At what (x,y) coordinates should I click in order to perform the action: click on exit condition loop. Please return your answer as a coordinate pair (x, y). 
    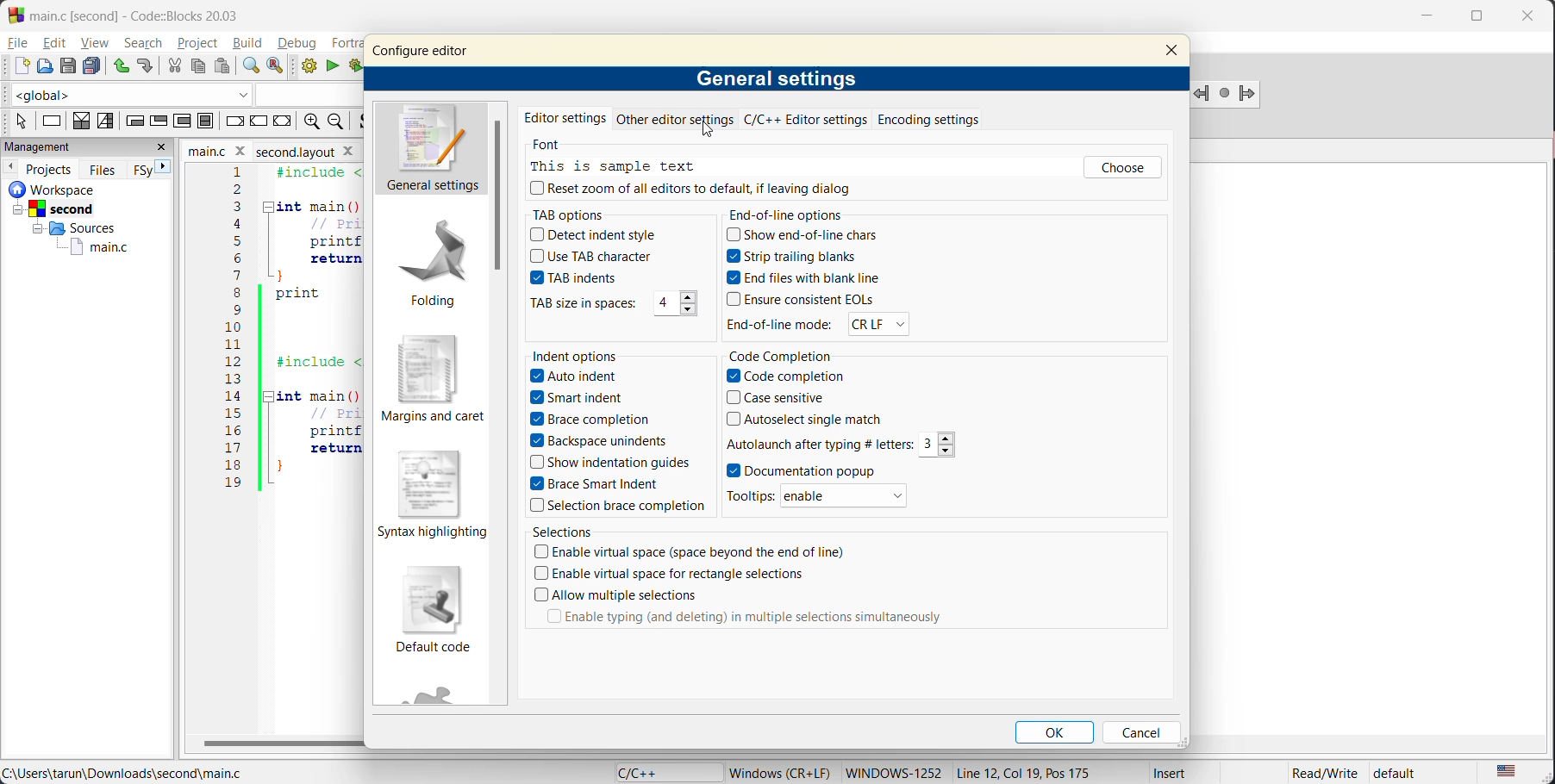
    Looking at the image, I should click on (158, 120).